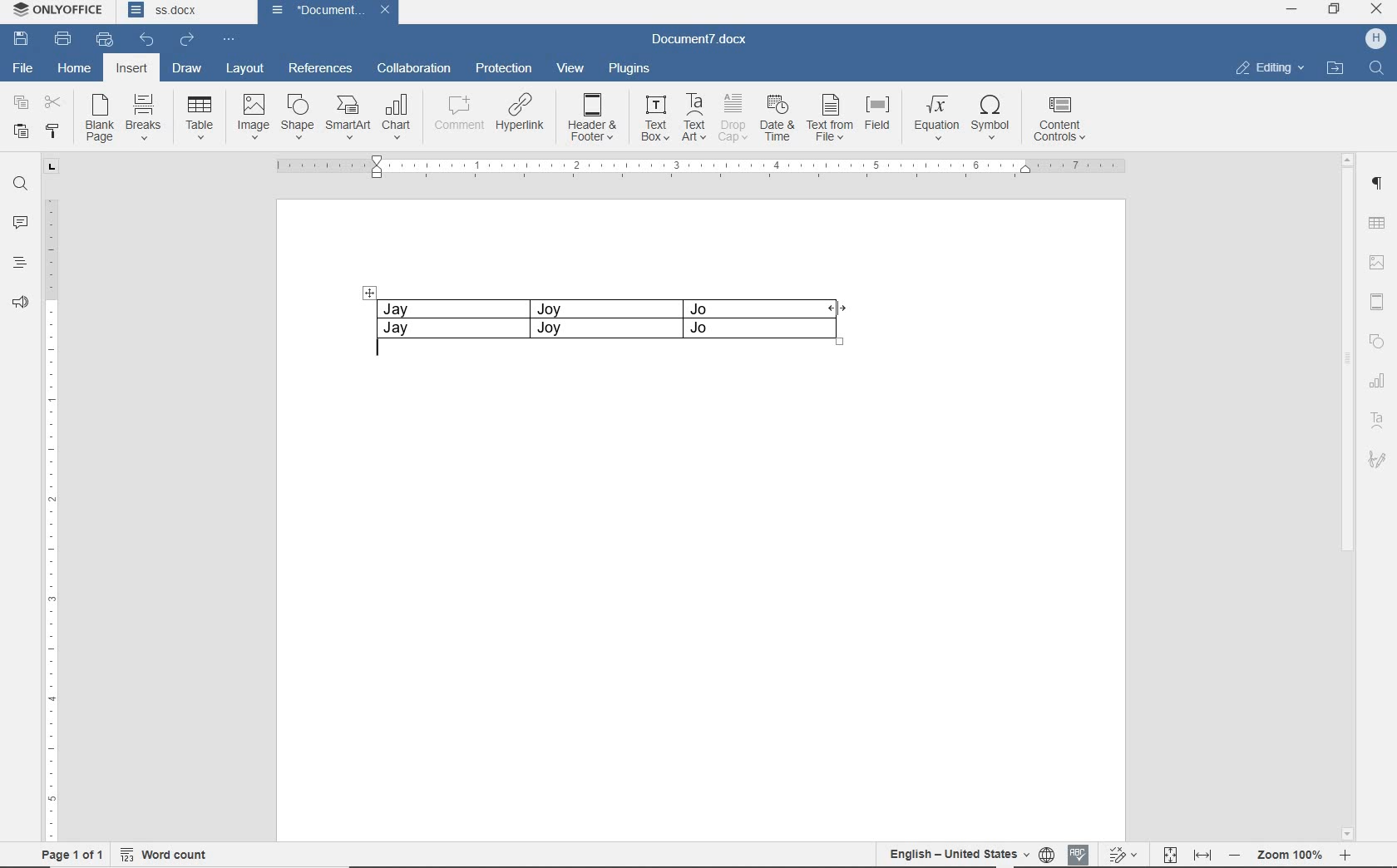  What do you see at coordinates (20, 302) in the screenshot?
I see `FEEDBACK & SUPPORT` at bounding box center [20, 302].